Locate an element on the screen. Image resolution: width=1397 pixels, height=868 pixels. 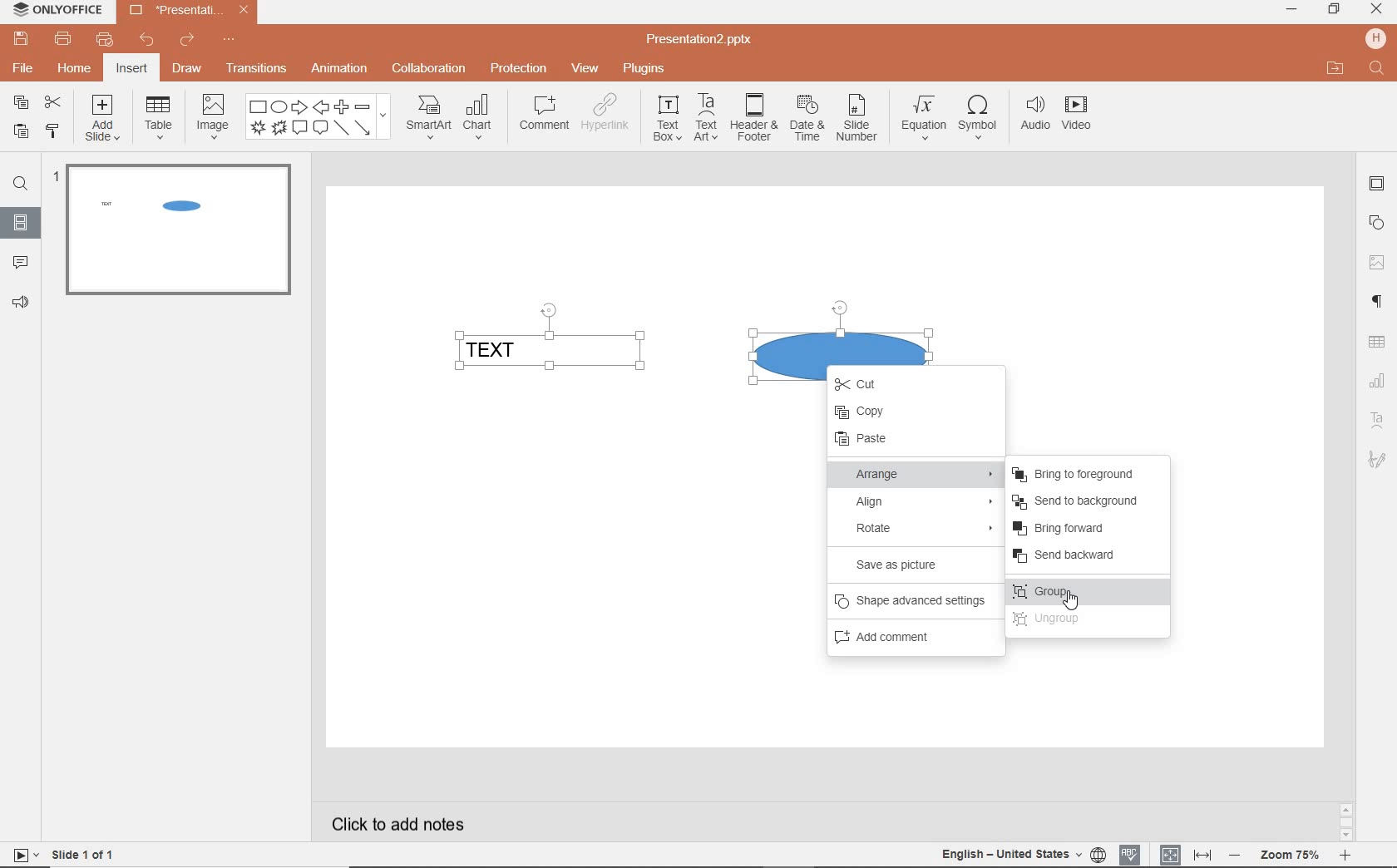
ARRANGE is located at coordinates (914, 472).